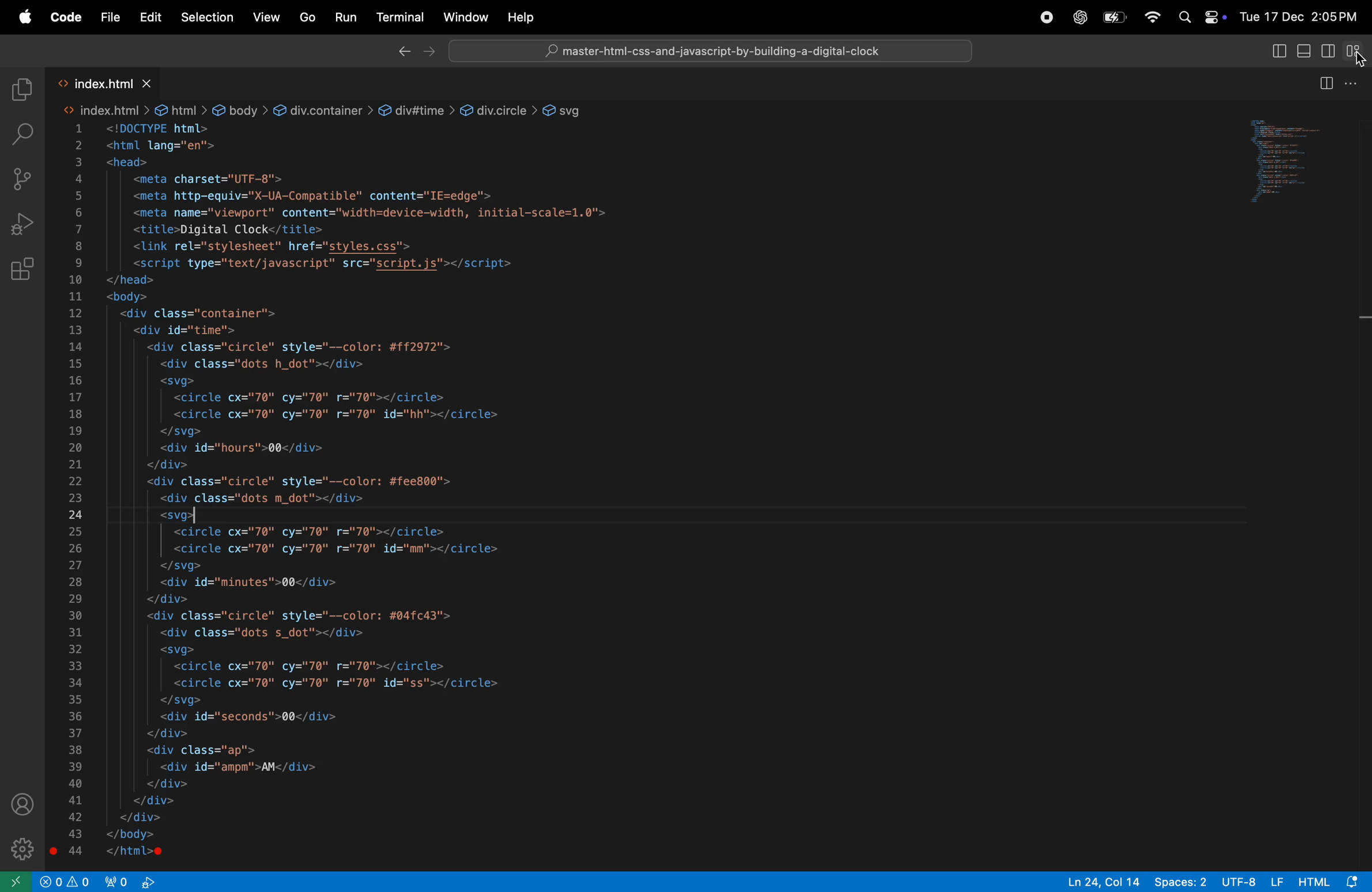  What do you see at coordinates (402, 52) in the screenshot?
I see `backward` at bounding box center [402, 52].